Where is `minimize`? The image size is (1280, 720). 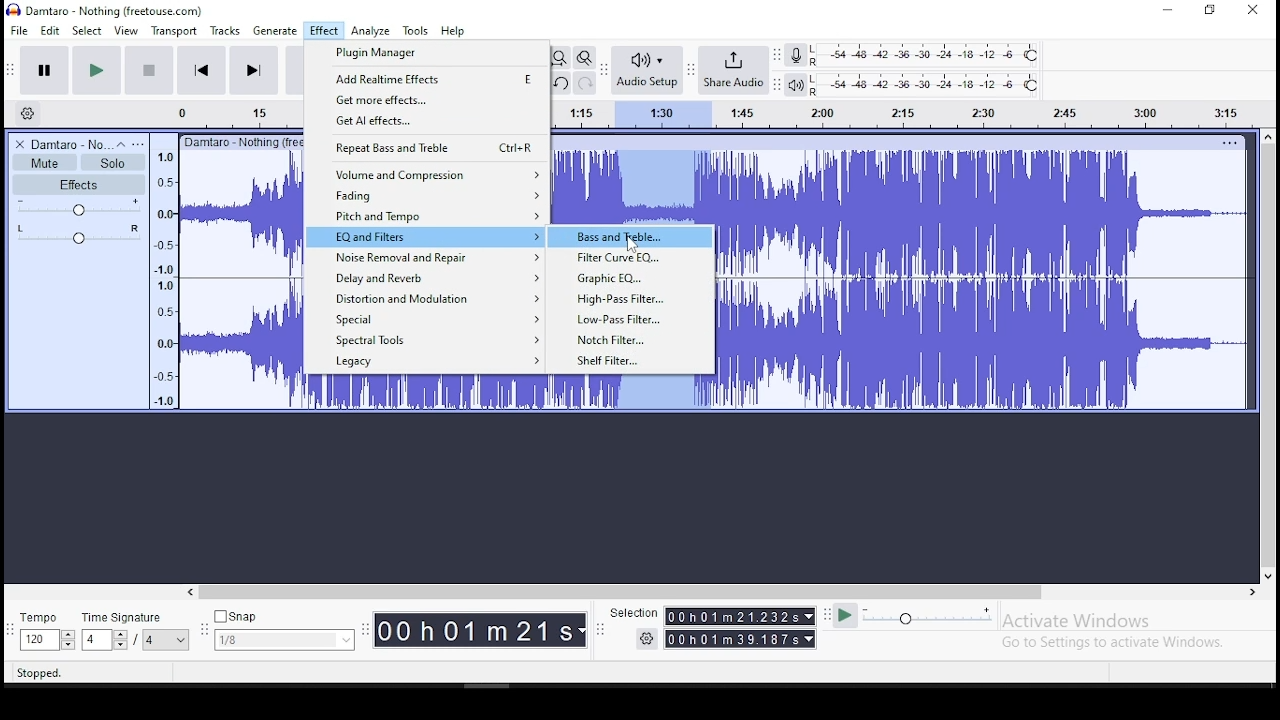 minimize is located at coordinates (1169, 11).